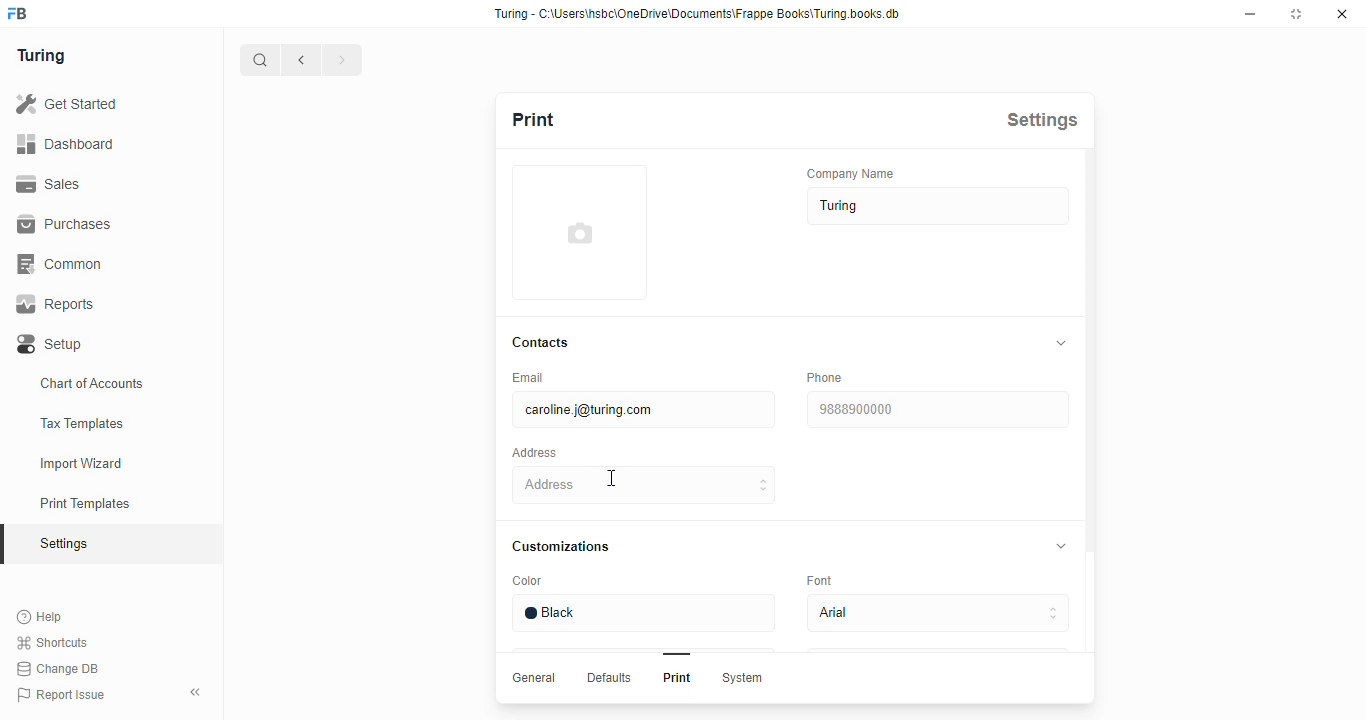  I want to click on color, so click(529, 581).